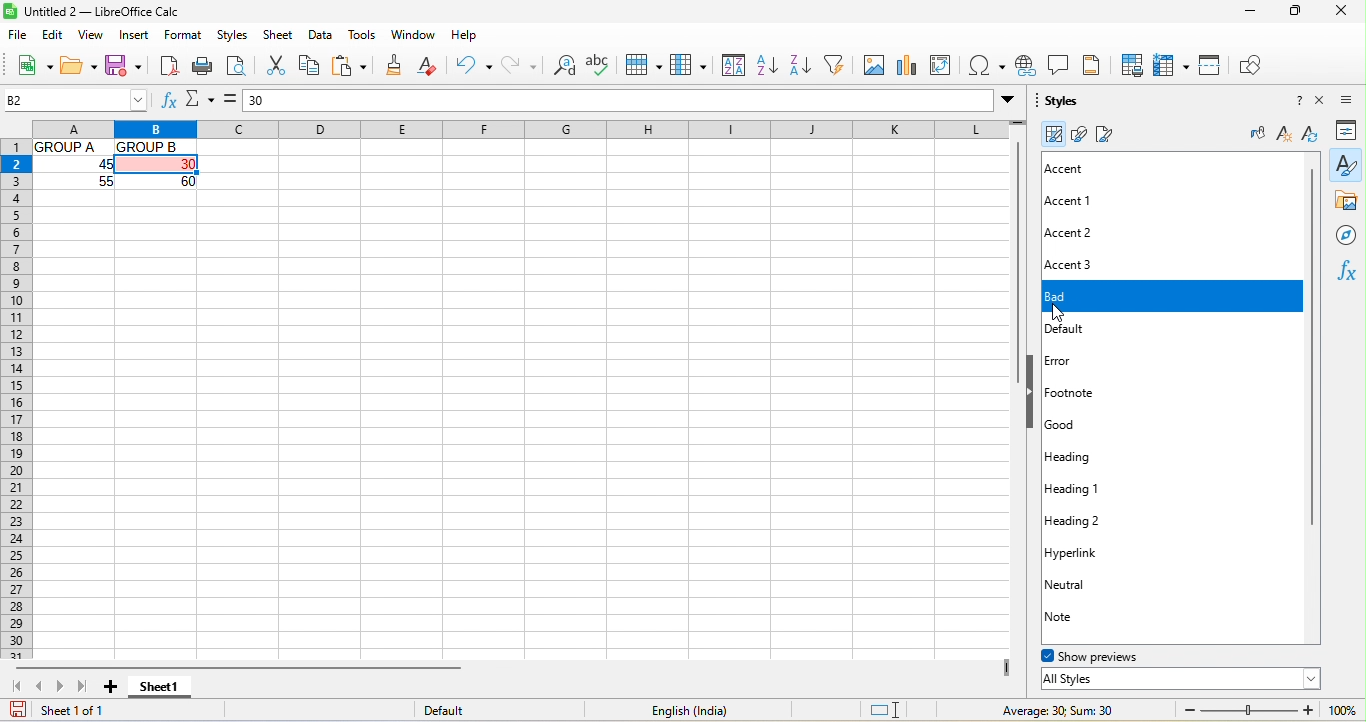 The height and width of the screenshot is (722, 1366). I want to click on window, so click(415, 36).